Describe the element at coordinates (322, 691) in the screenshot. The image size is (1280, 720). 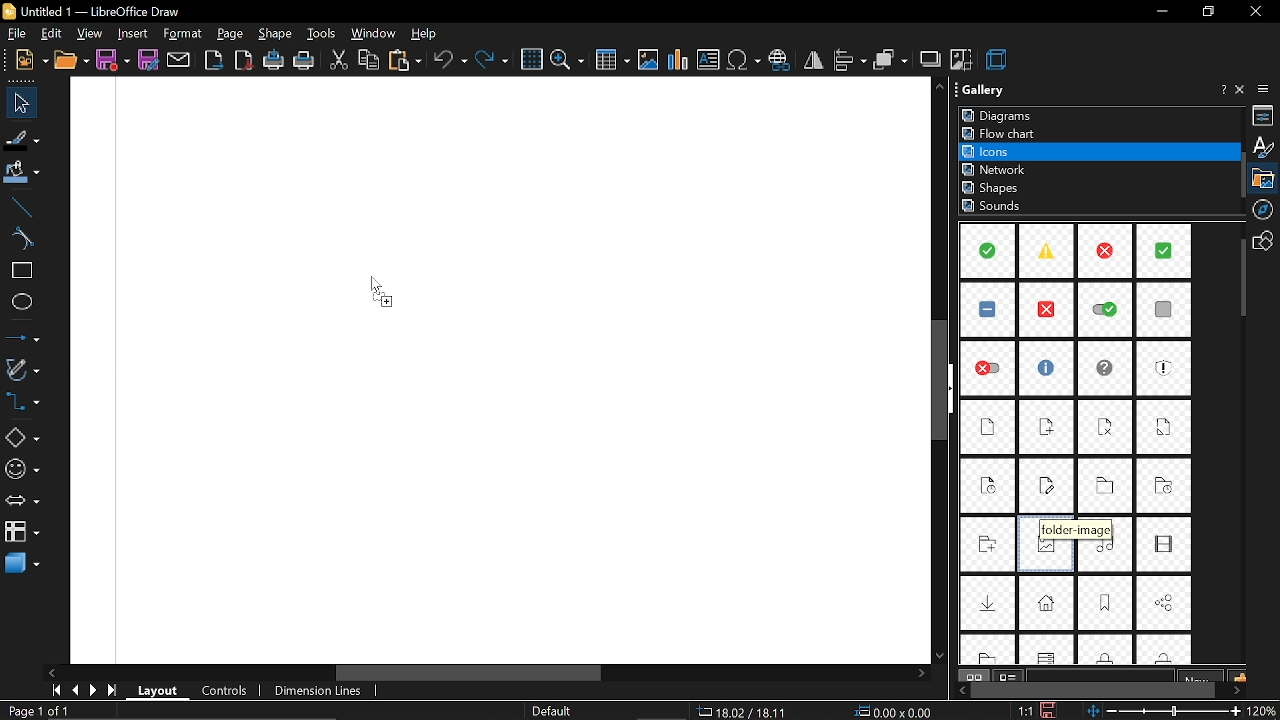
I see `dimension lines` at that location.